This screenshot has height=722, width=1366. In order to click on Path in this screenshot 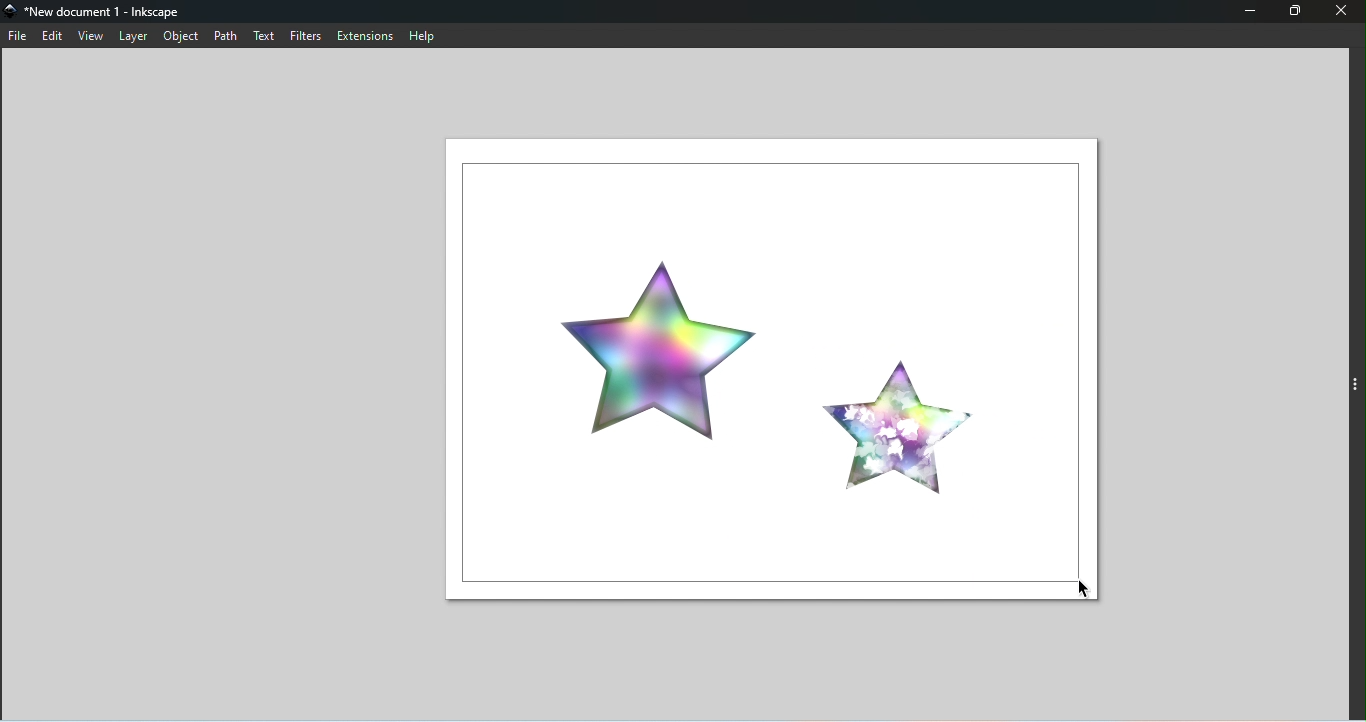, I will do `click(223, 36)`.